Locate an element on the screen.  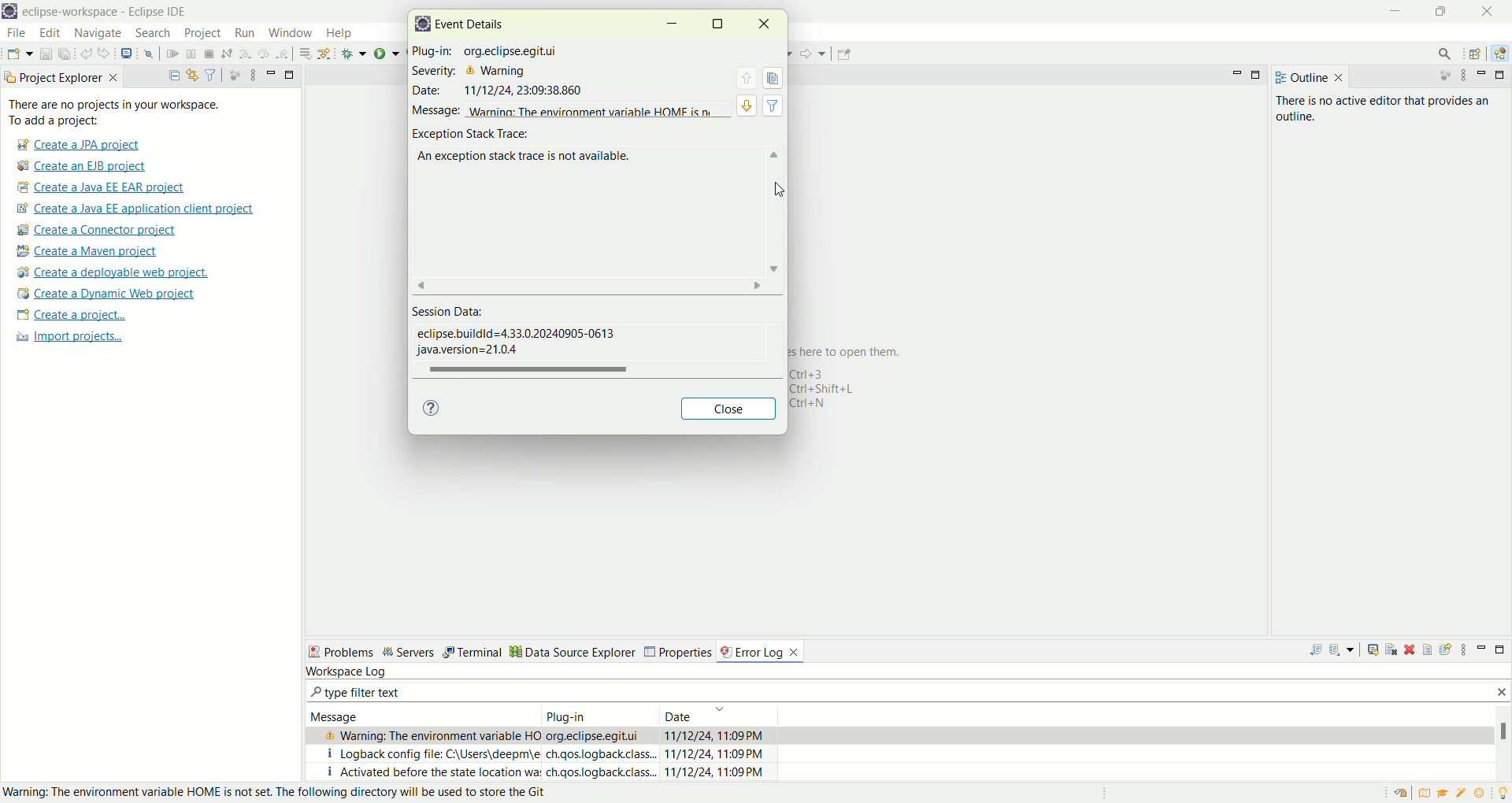
maximize is located at coordinates (719, 24).